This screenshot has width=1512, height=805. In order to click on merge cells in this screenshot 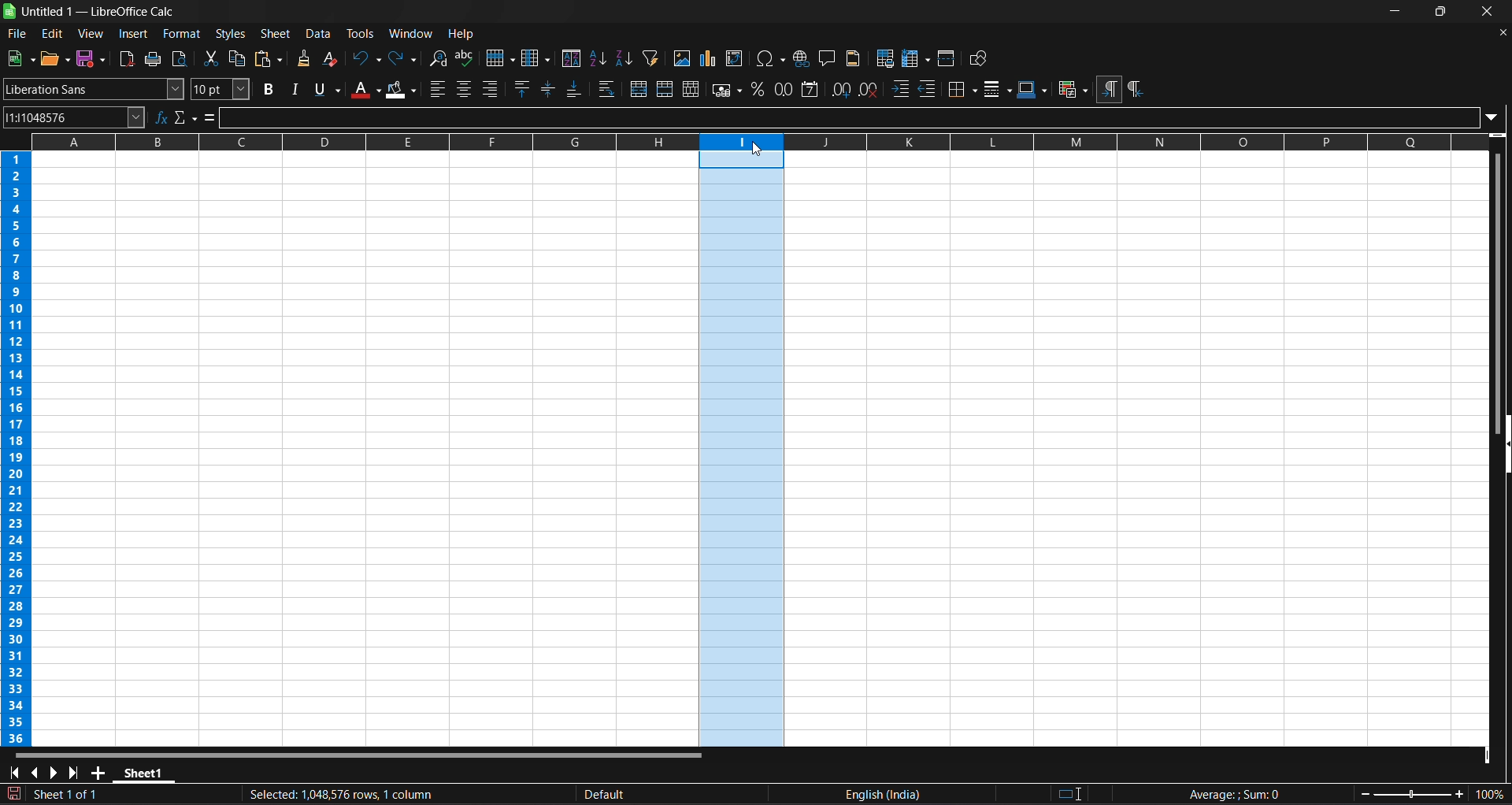, I will do `click(665, 88)`.